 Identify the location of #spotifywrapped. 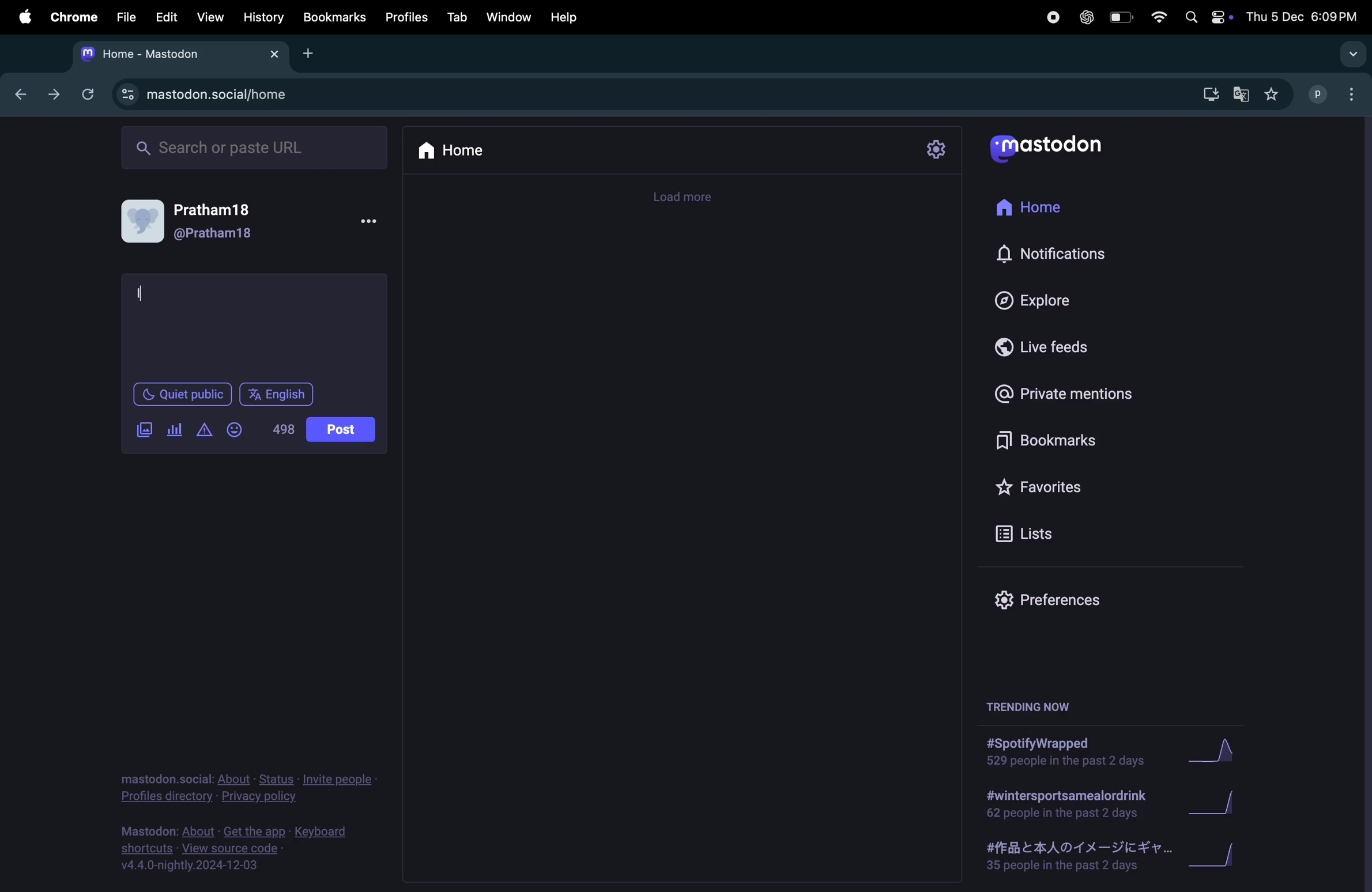
(1069, 752).